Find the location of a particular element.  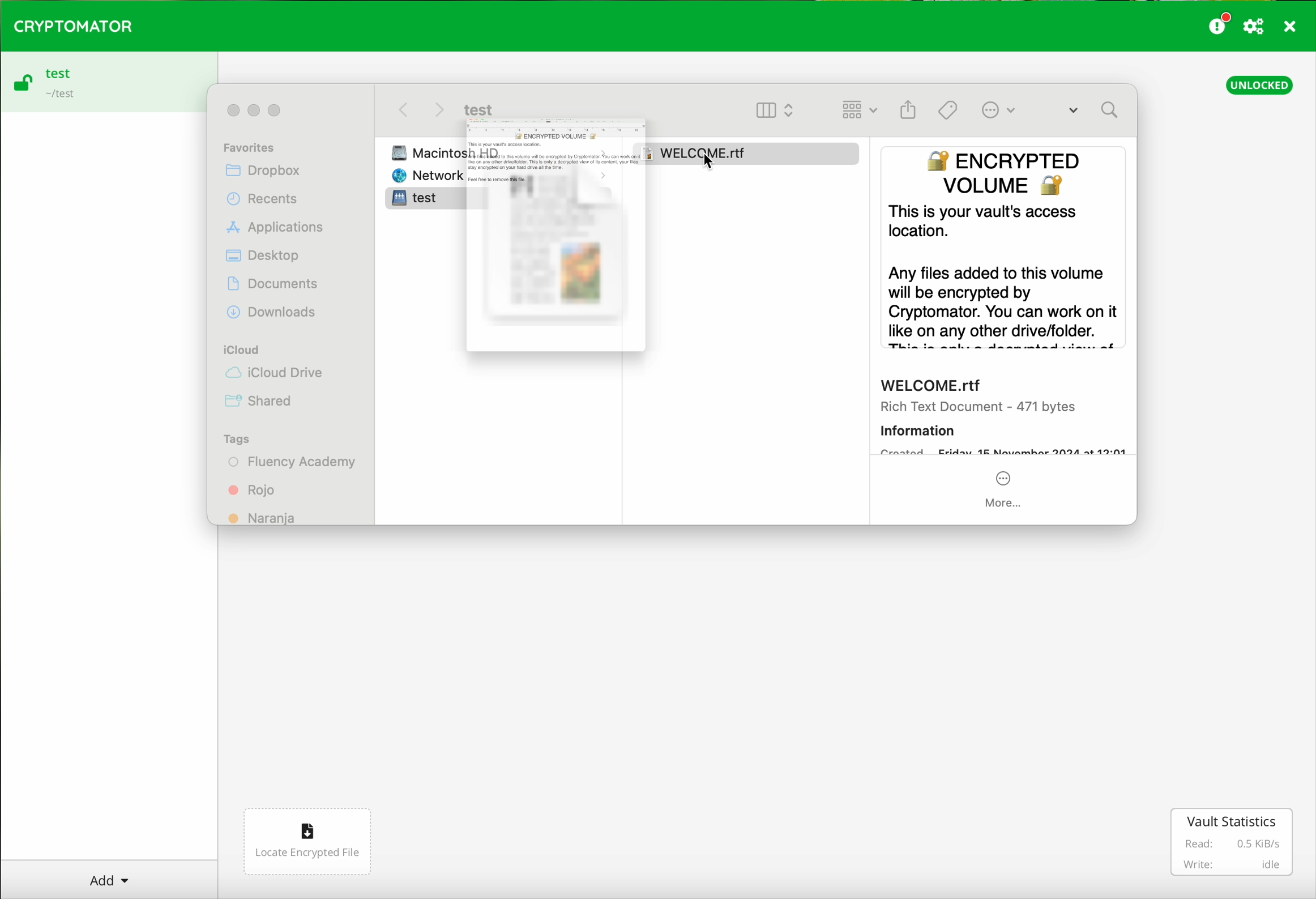

Welcome.rtf is located at coordinates (749, 150).